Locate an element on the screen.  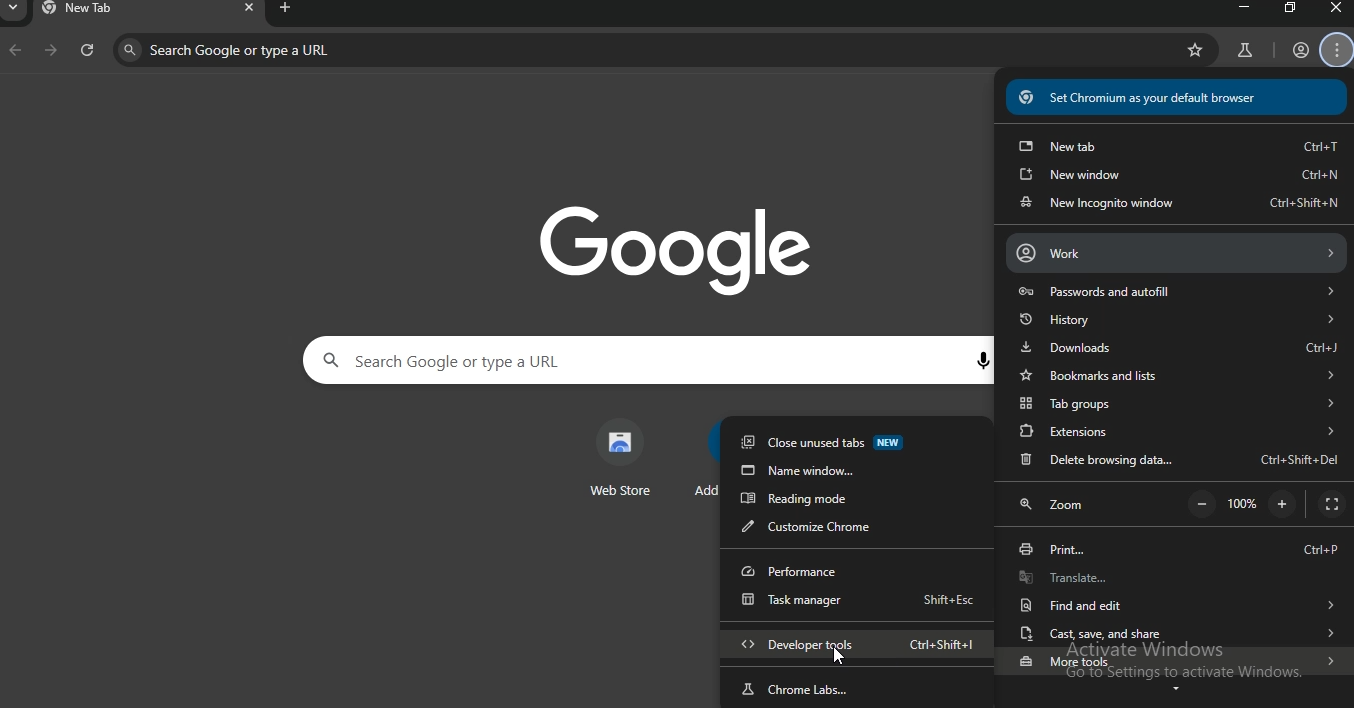
web store is located at coordinates (622, 460).